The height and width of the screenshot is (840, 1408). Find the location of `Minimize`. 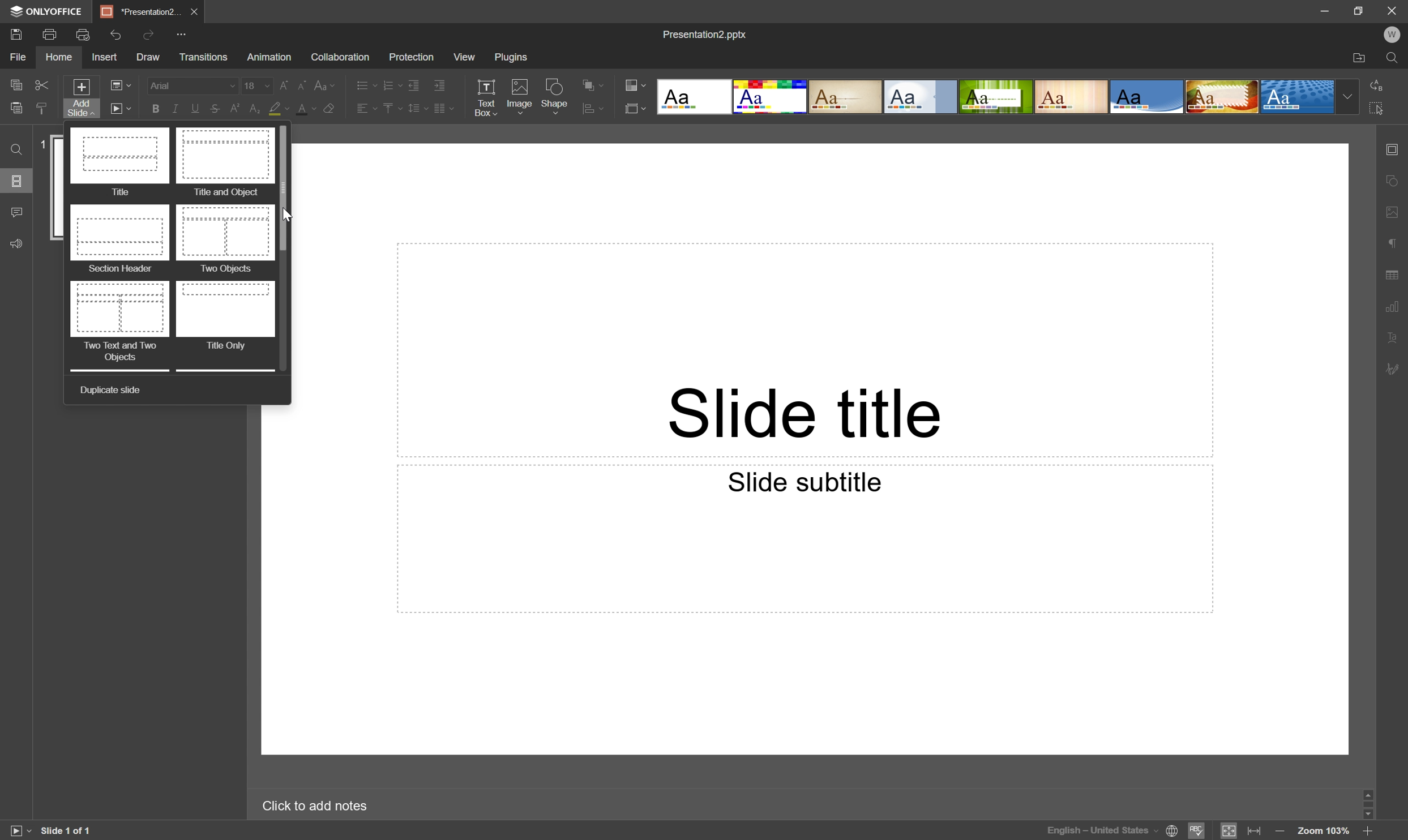

Minimize is located at coordinates (1327, 8).